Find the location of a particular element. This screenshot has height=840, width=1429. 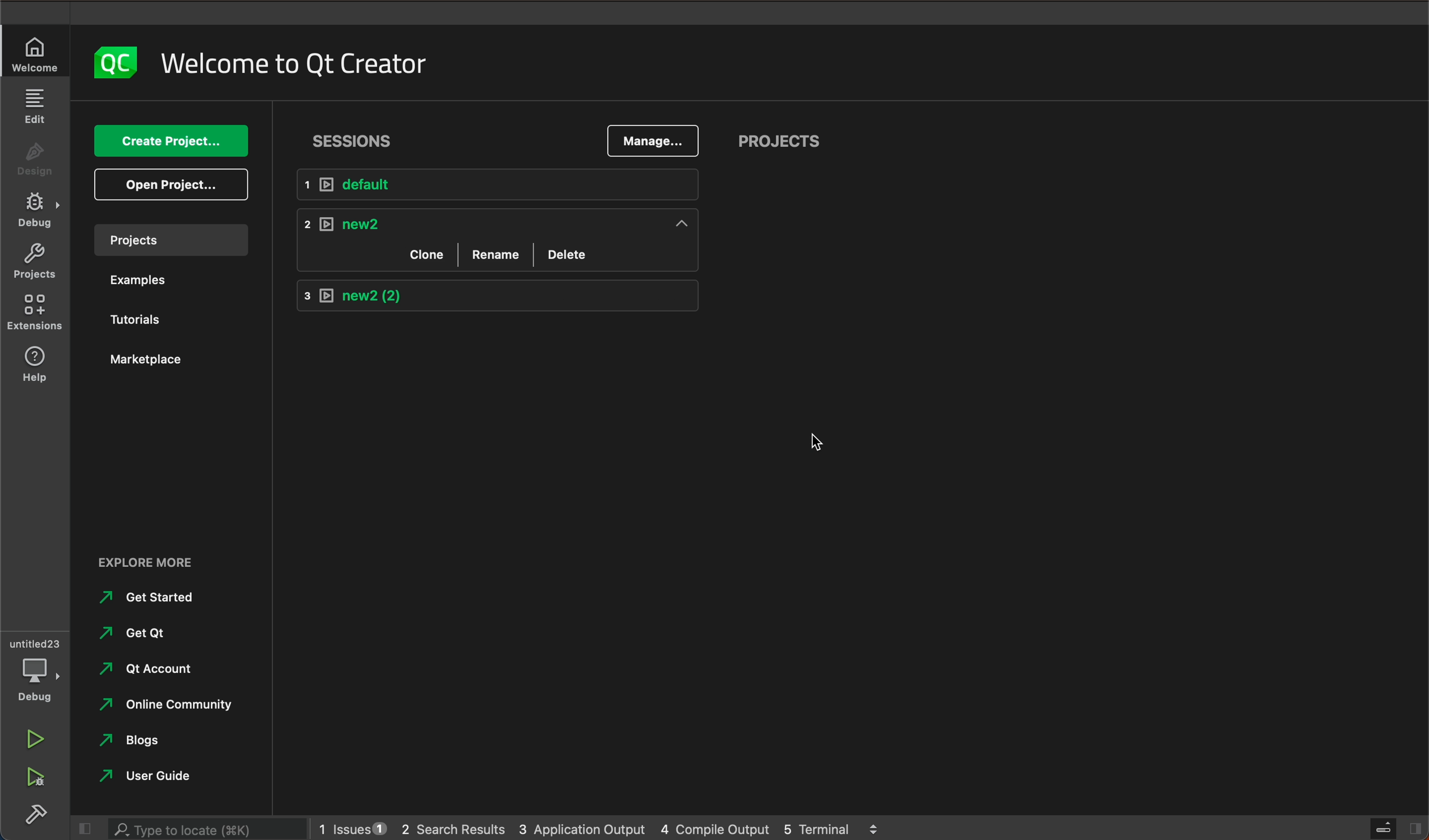

clone is located at coordinates (422, 254).